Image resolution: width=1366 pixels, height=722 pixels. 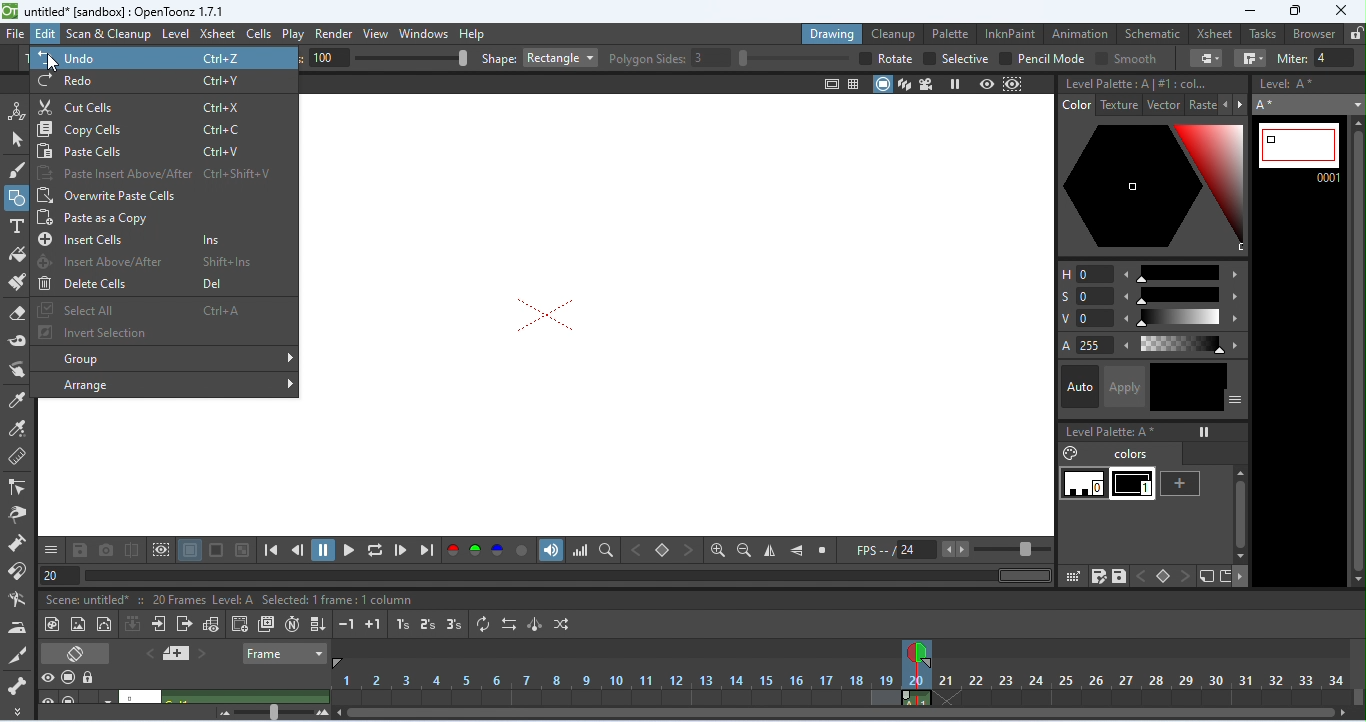 What do you see at coordinates (50, 549) in the screenshot?
I see `save and more` at bounding box center [50, 549].